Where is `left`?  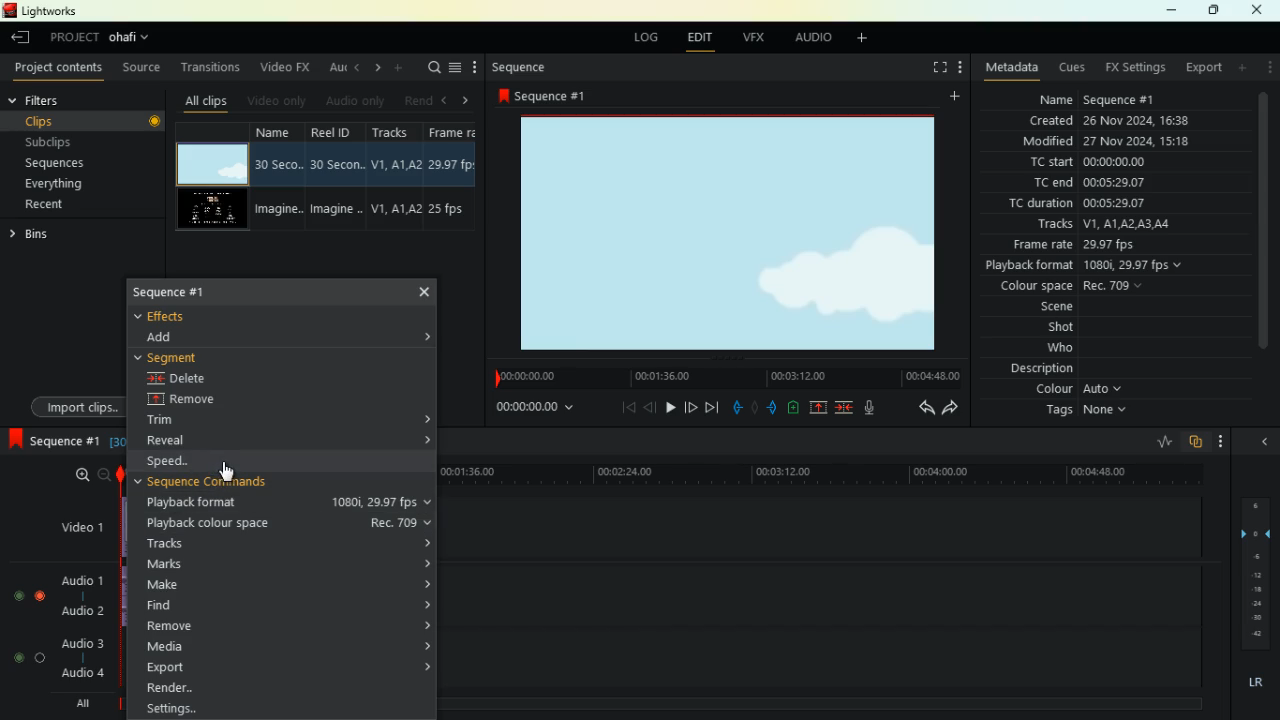
left is located at coordinates (446, 100).